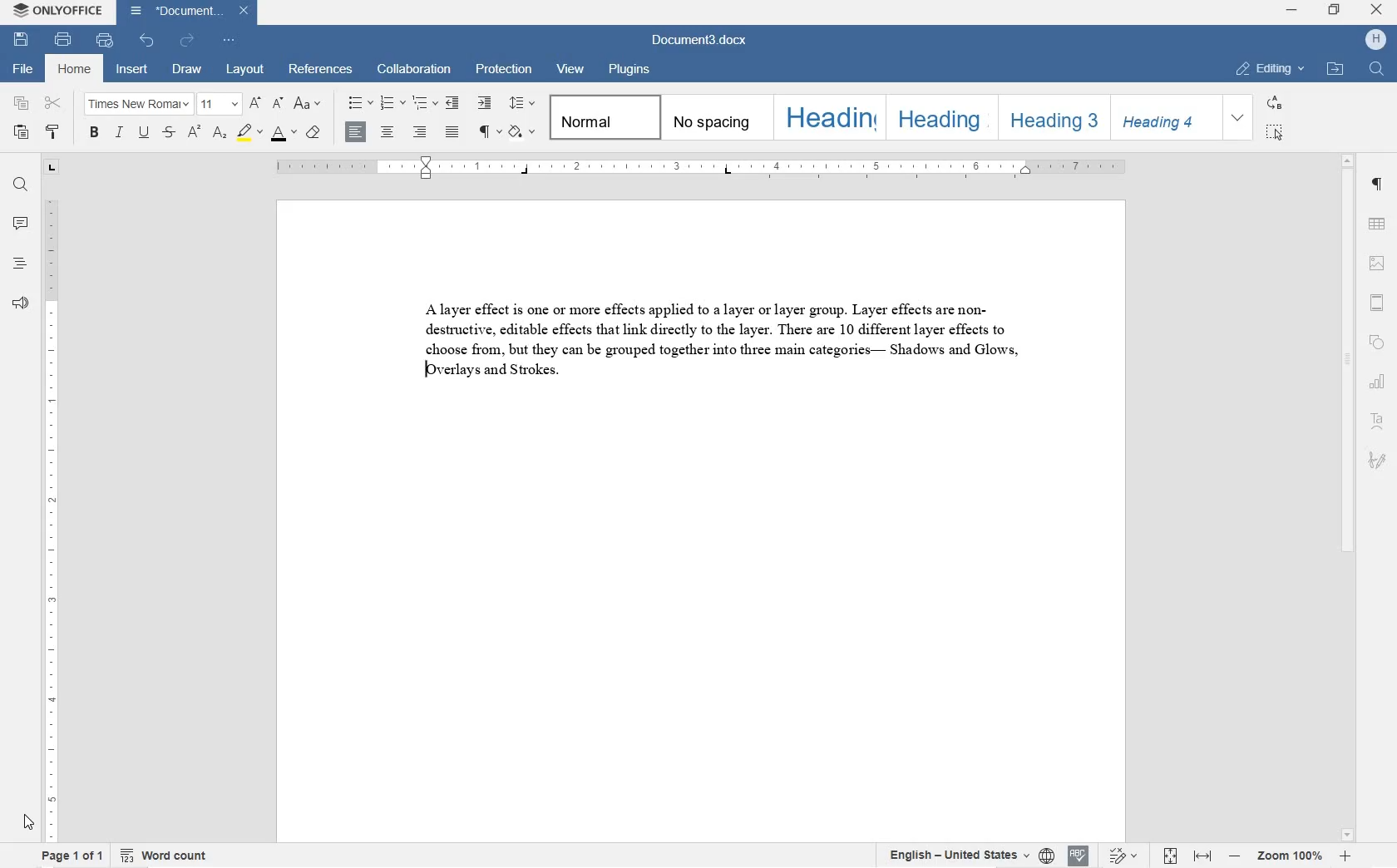 The width and height of the screenshot is (1397, 868). What do you see at coordinates (54, 131) in the screenshot?
I see `COPY STYLE` at bounding box center [54, 131].